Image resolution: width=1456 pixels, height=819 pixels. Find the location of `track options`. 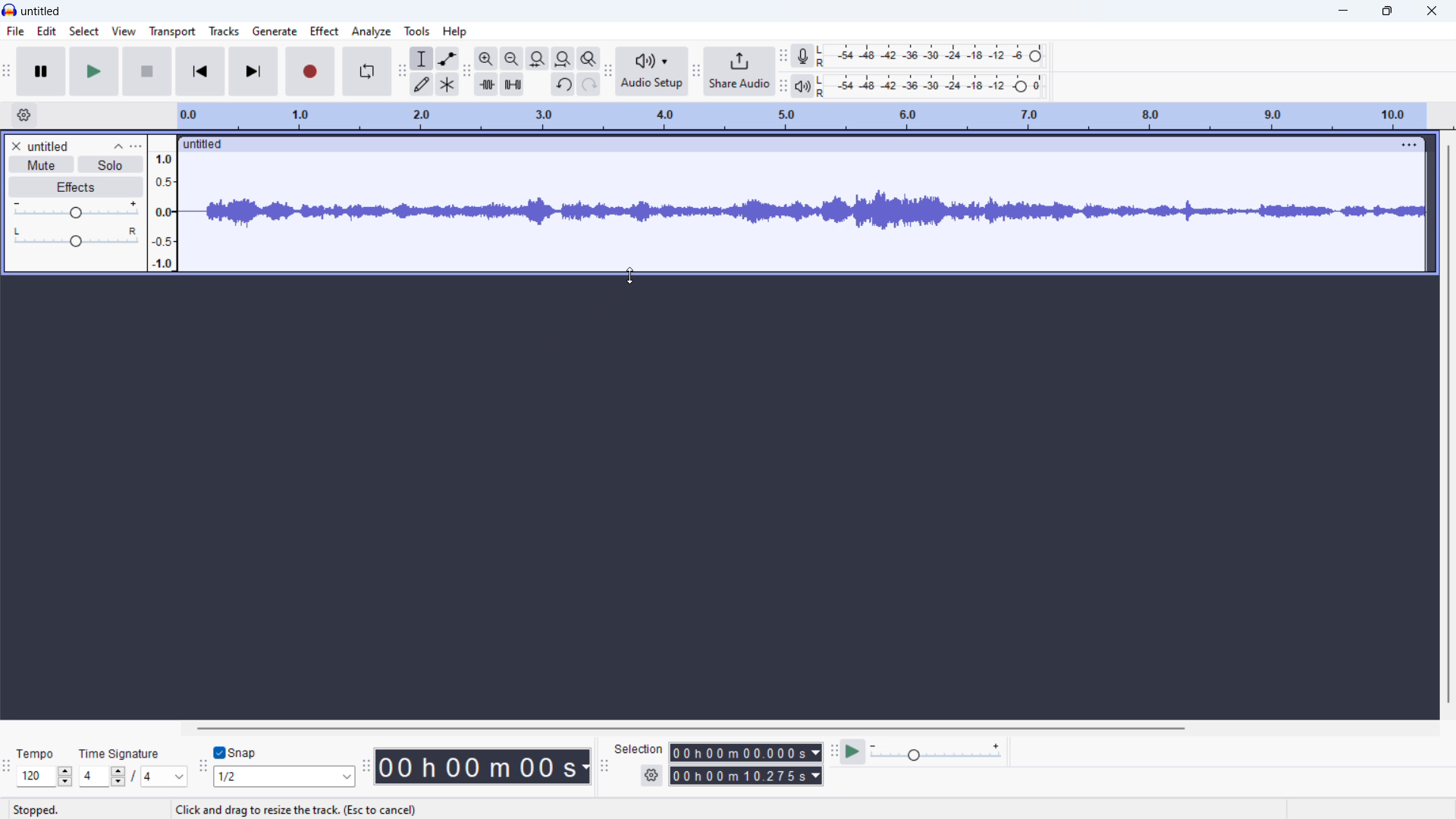

track options is located at coordinates (1407, 145).